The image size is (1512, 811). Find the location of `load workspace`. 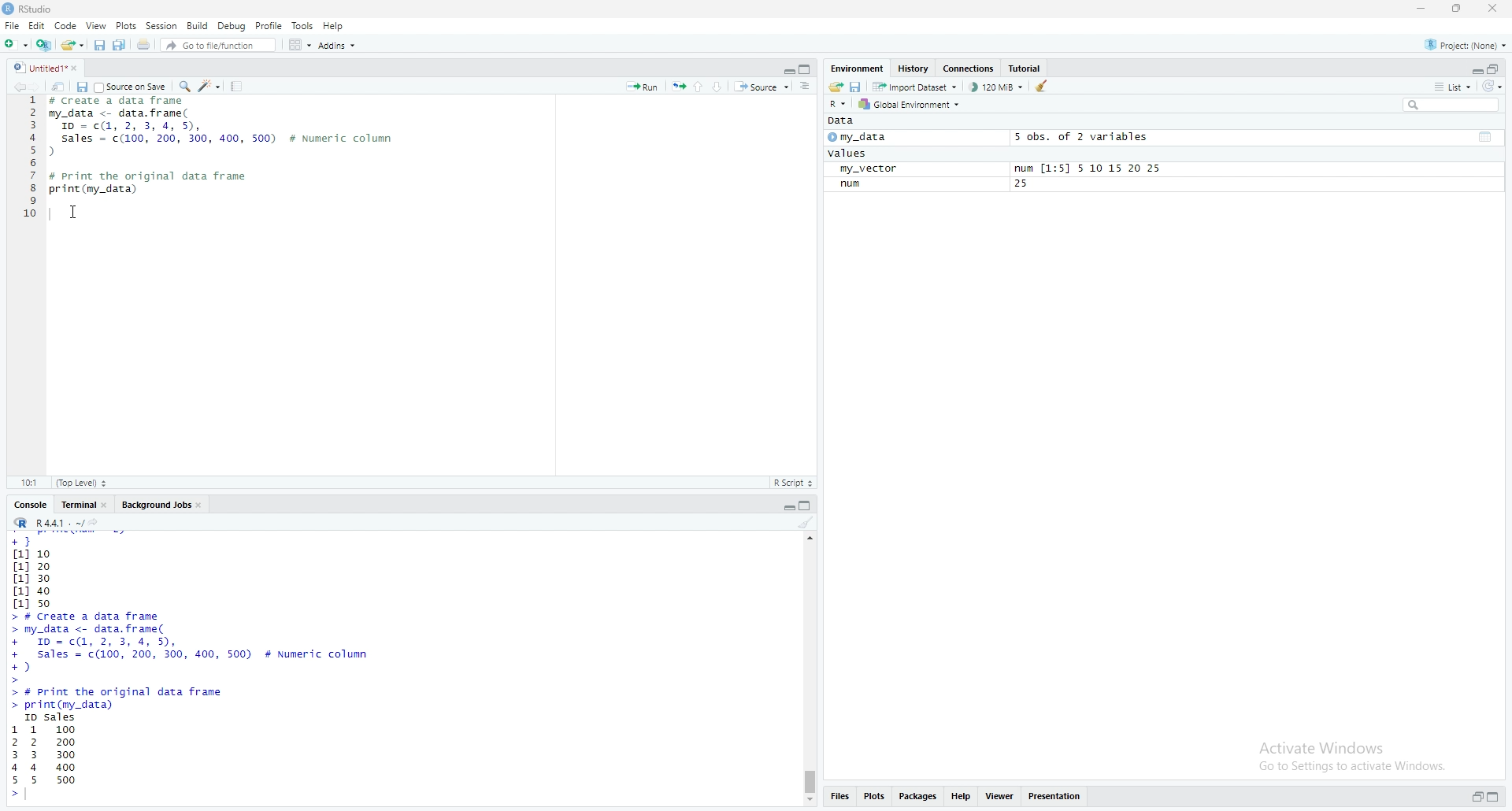

load workspace is located at coordinates (833, 87).